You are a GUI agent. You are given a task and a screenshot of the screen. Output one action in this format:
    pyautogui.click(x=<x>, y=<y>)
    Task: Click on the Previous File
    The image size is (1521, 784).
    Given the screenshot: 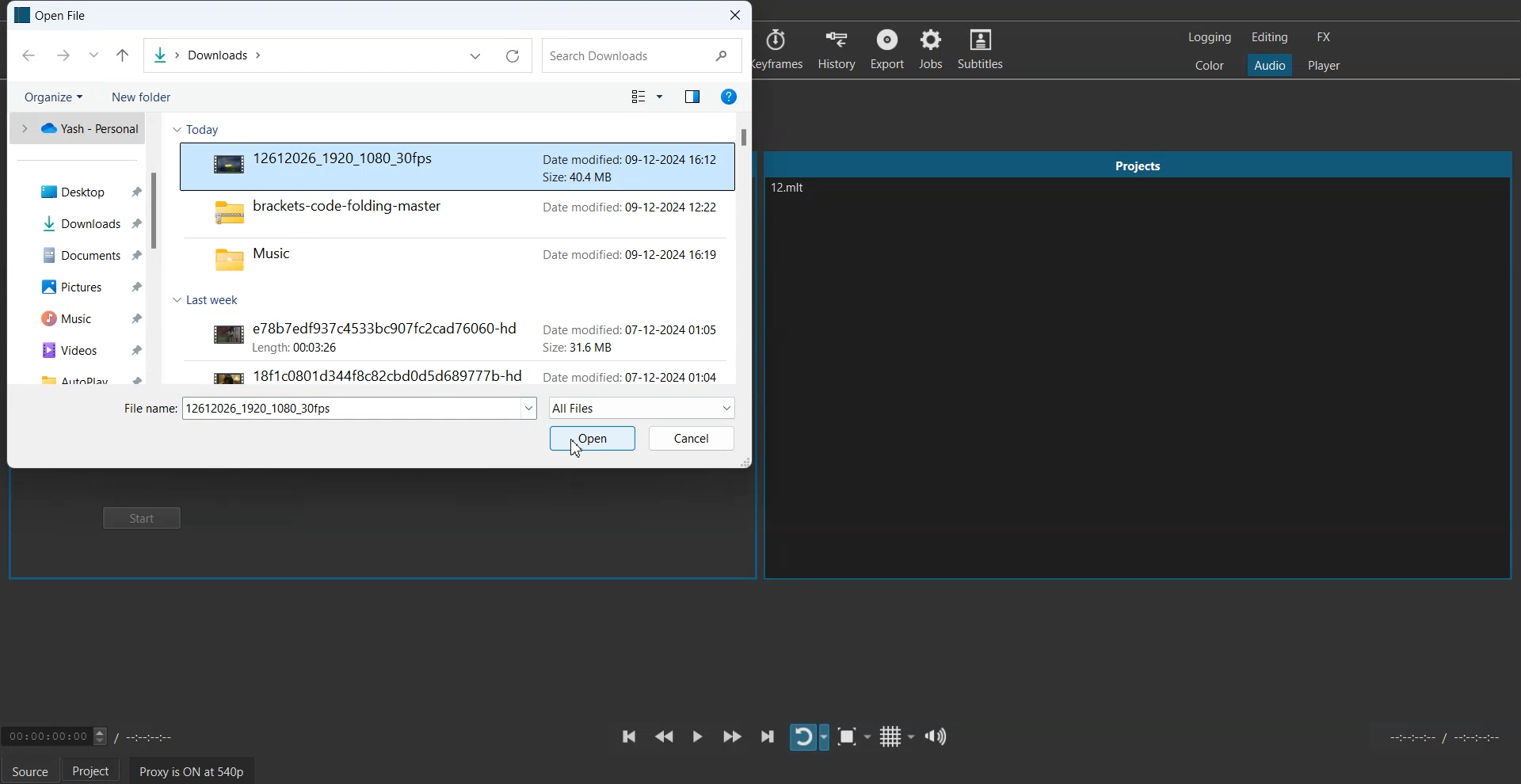 What is the action you would take?
    pyautogui.click(x=475, y=56)
    